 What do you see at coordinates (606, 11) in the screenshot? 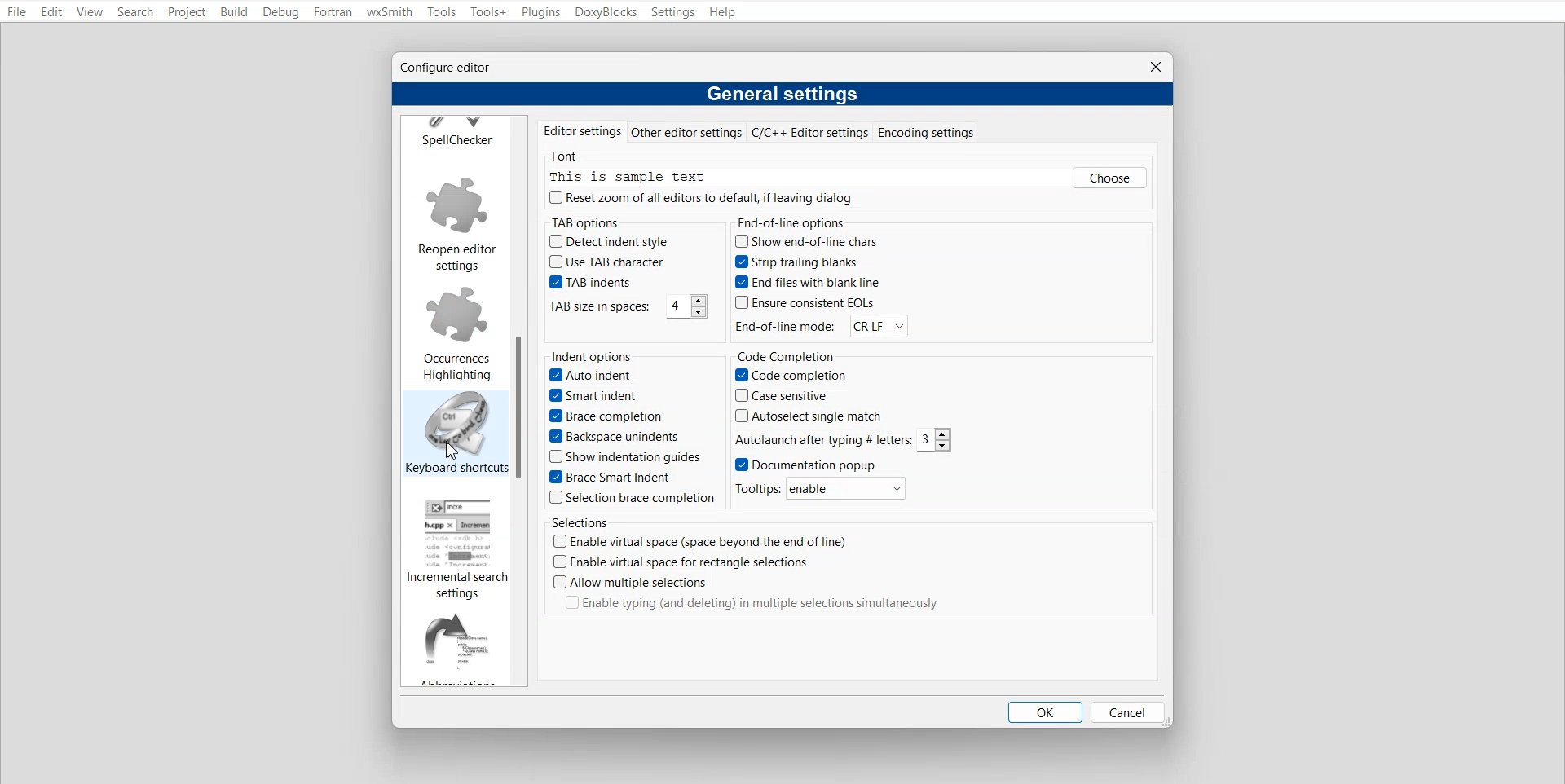
I see `DoxyBlocks` at bounding box center [606, 11].